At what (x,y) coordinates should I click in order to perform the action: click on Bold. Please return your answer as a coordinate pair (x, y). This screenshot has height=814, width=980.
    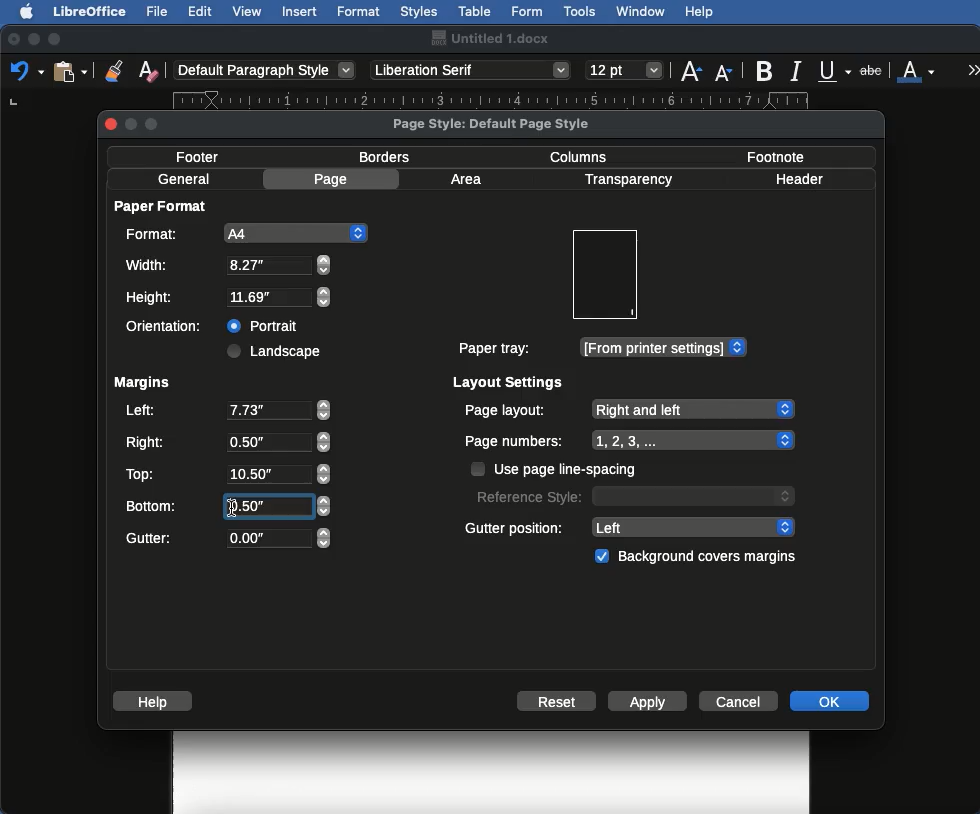
    Looking at the image, I should click on (766, 71).